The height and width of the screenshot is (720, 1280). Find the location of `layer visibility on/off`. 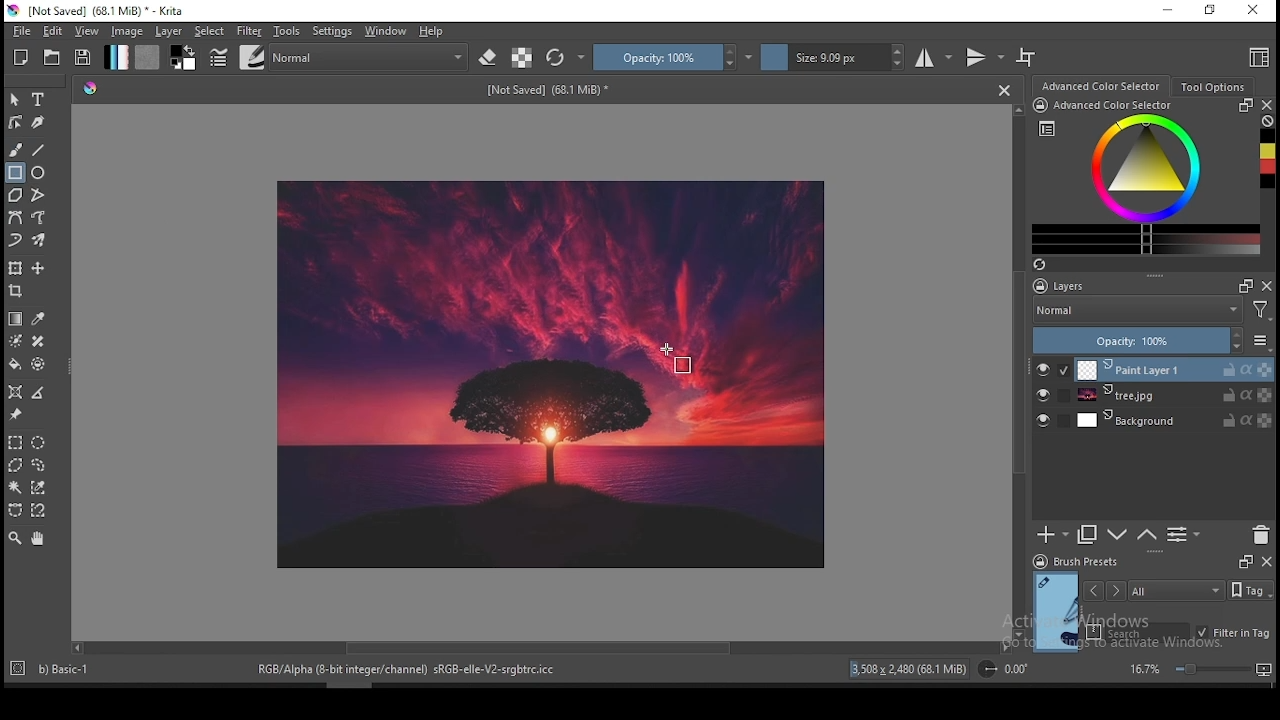

layer visibility on/off is located at coordinates (1043, 395).